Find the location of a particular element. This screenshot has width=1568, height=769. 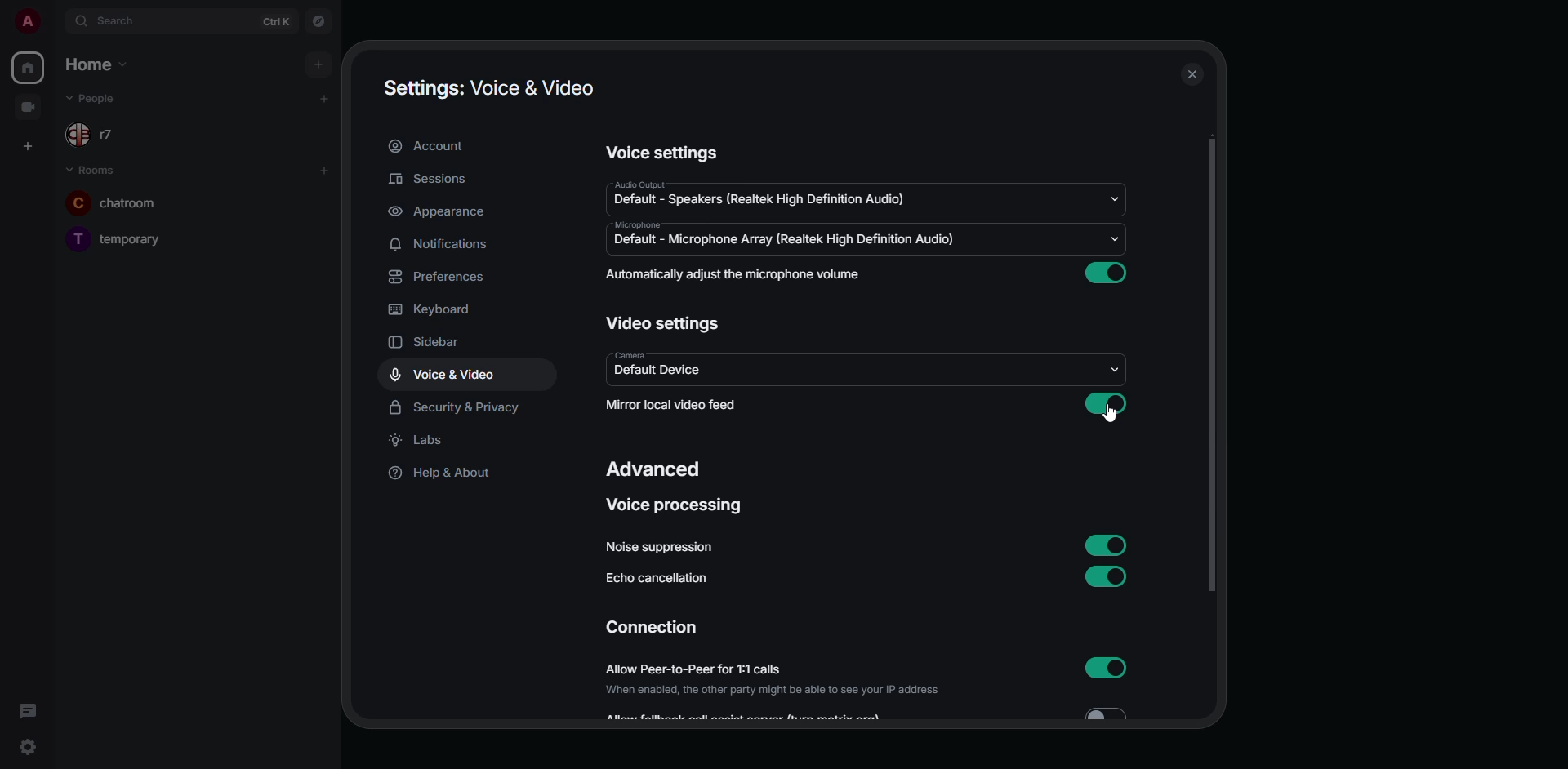

sessions is located at coordinates (433, 180).